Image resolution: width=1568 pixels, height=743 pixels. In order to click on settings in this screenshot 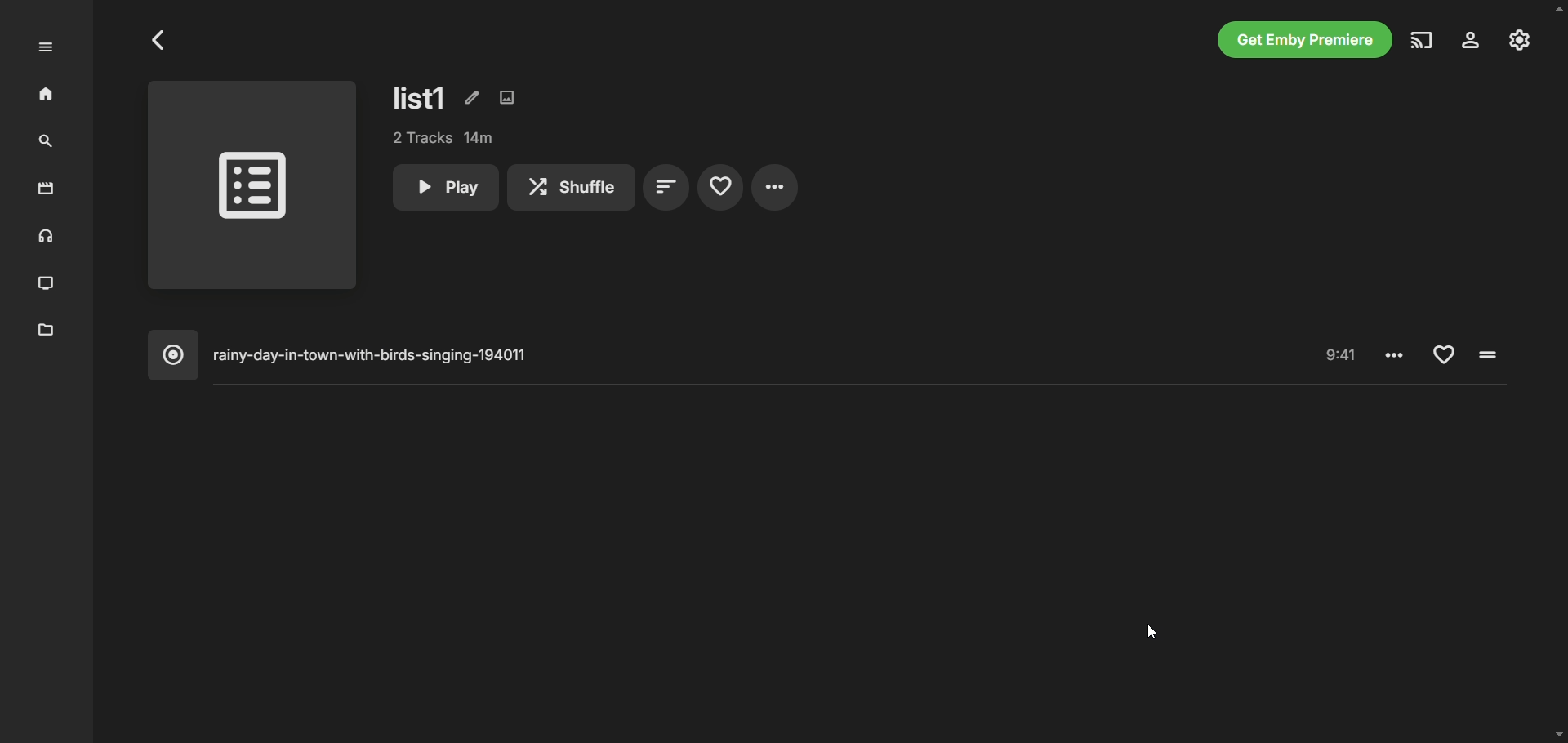, I will do `click(775, 187)`.